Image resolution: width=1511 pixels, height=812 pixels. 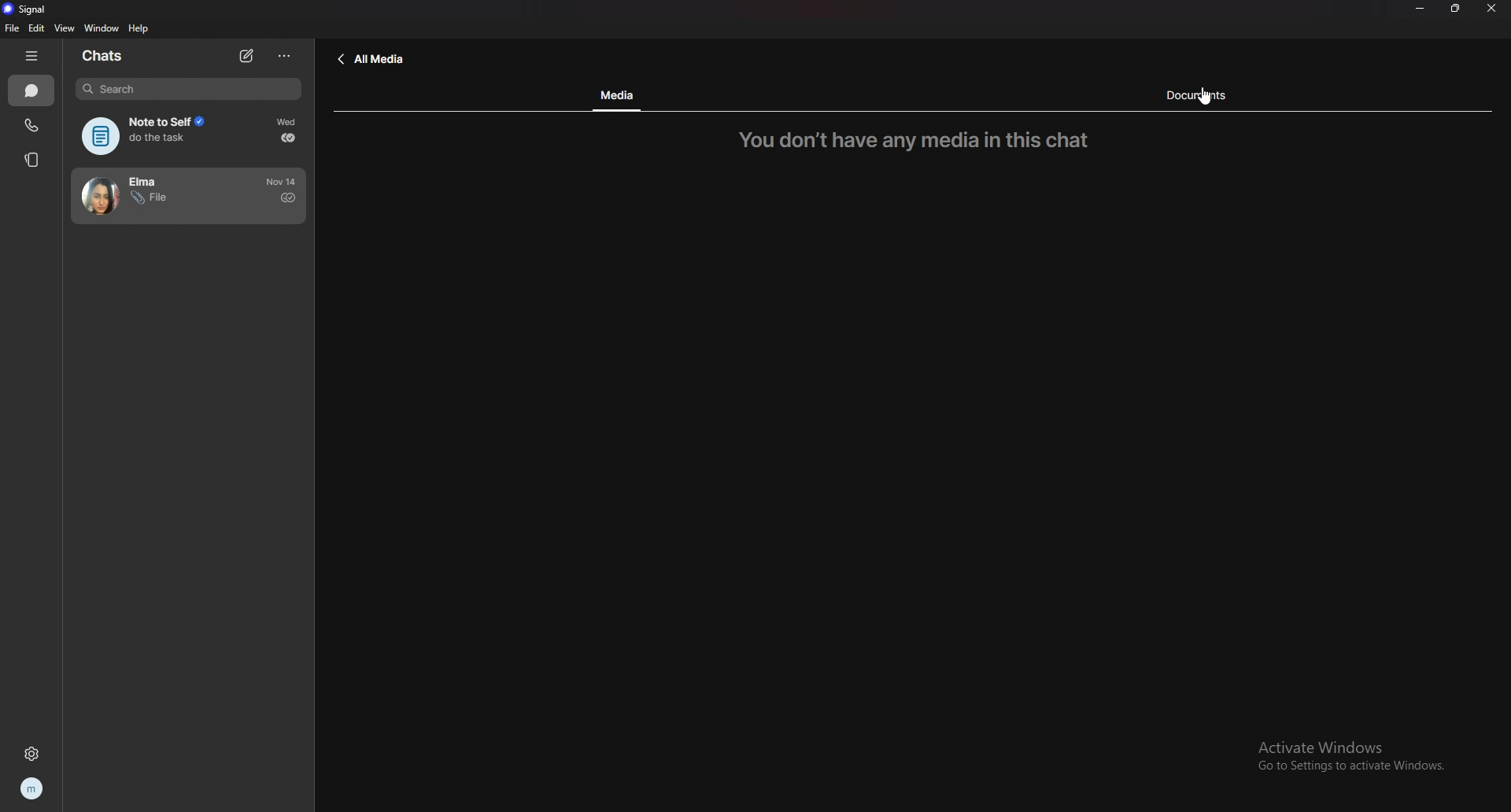 What do you see at coordinates (105, 57) in the screenshot?
I see `chats` at bounding box center [105, 57].